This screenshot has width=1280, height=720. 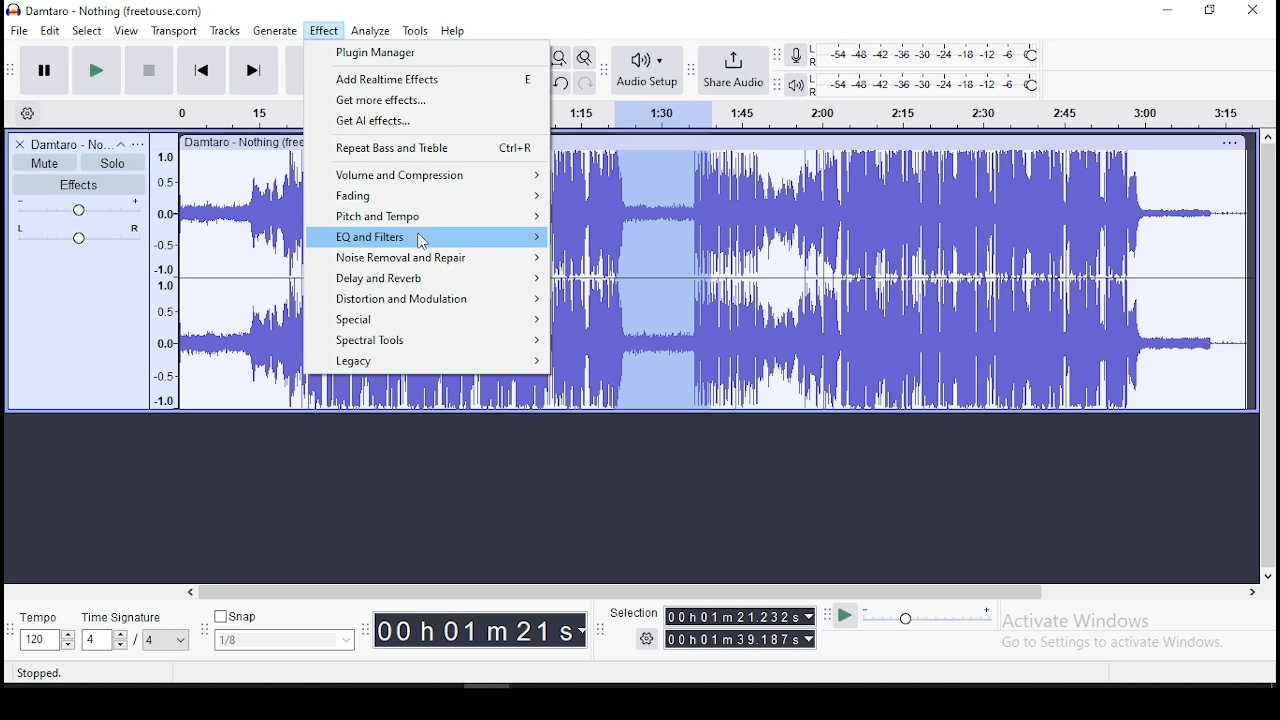 I want to click on Play, so click(x=845, y=616).